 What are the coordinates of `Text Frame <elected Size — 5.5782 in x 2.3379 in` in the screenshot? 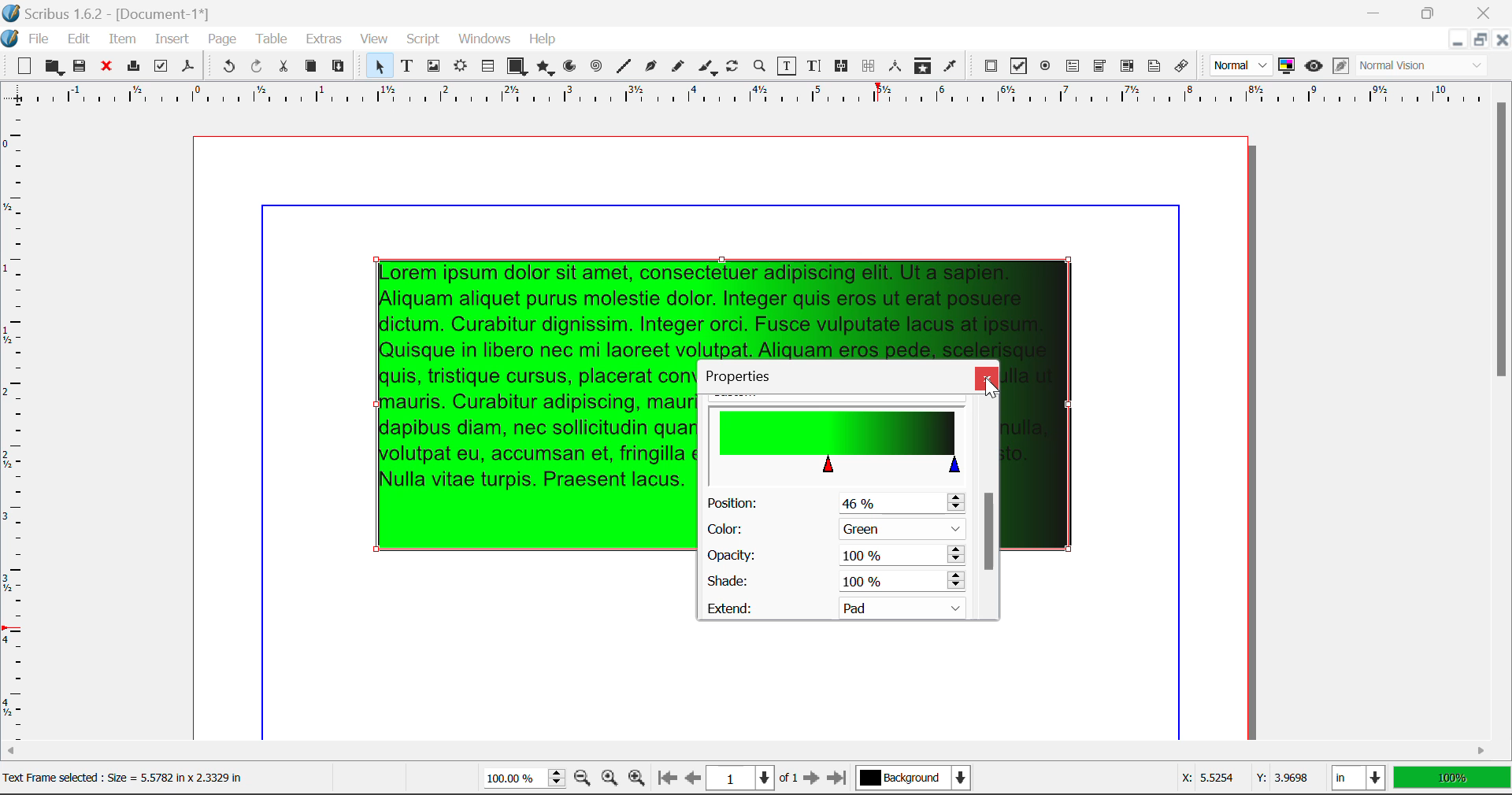 It's located at (124, 777).